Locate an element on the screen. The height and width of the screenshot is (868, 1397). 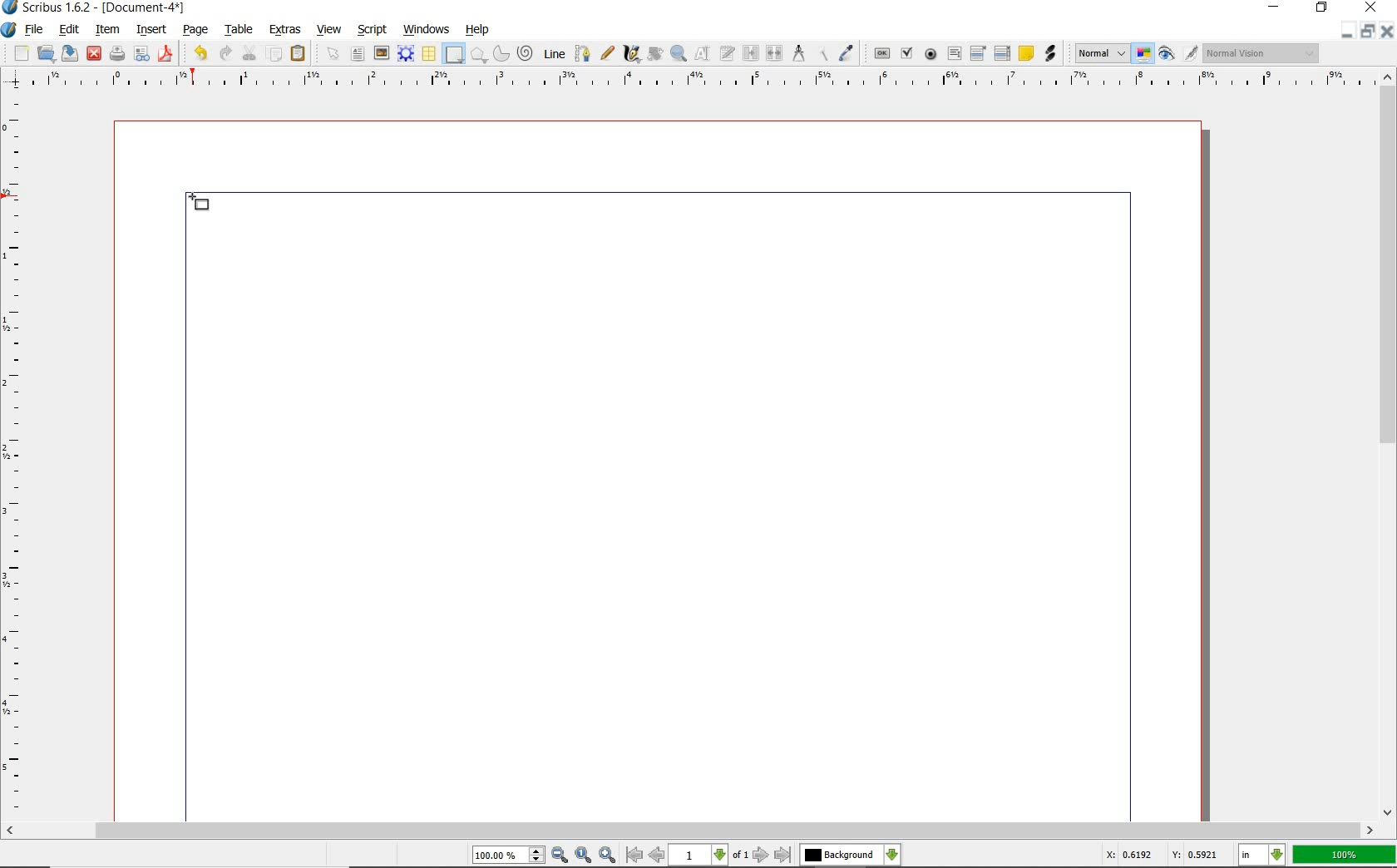
shape is located at coordinates (454, 55).